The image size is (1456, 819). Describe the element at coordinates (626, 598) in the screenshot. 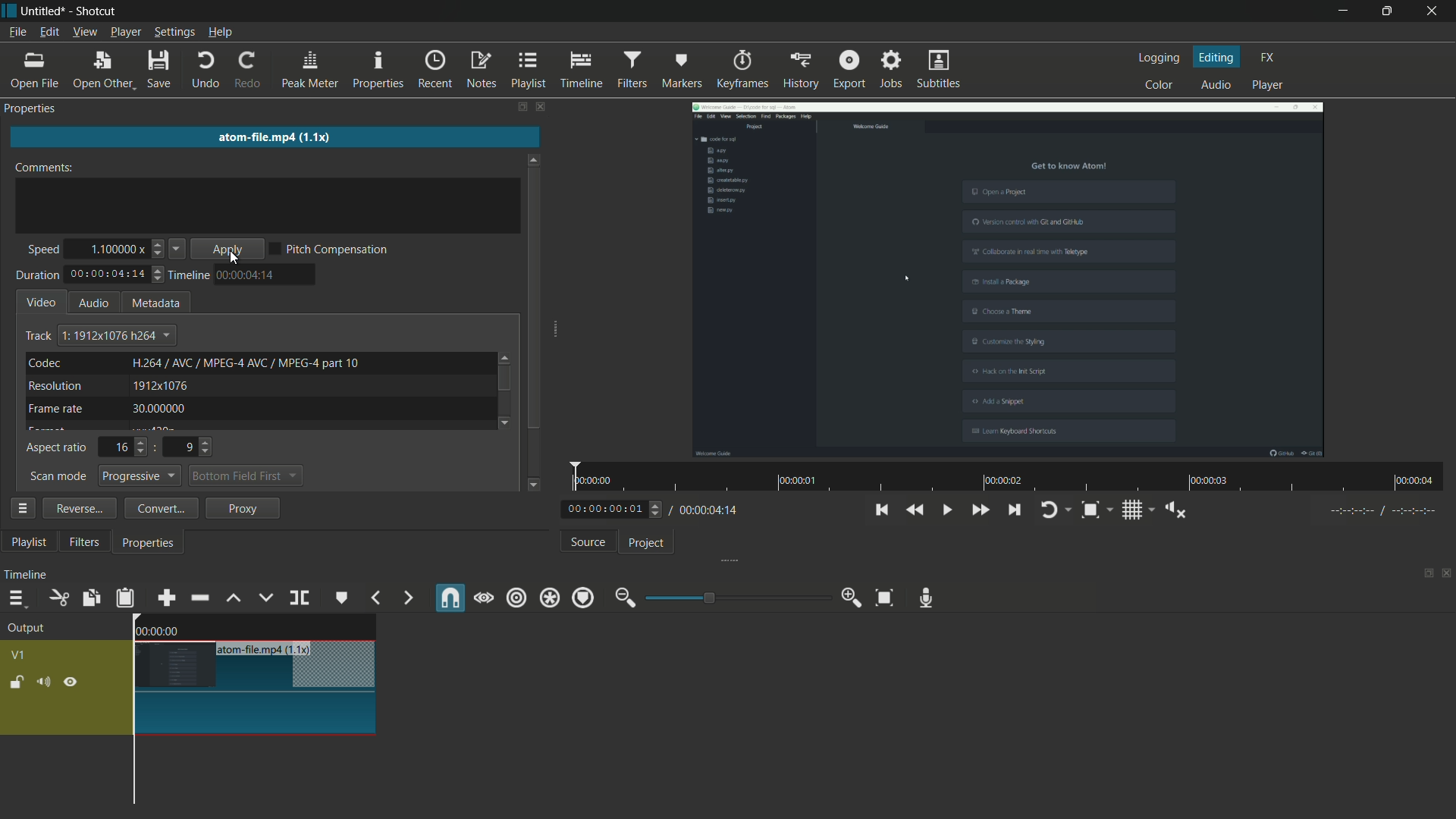

I see `zoom out` at that location.